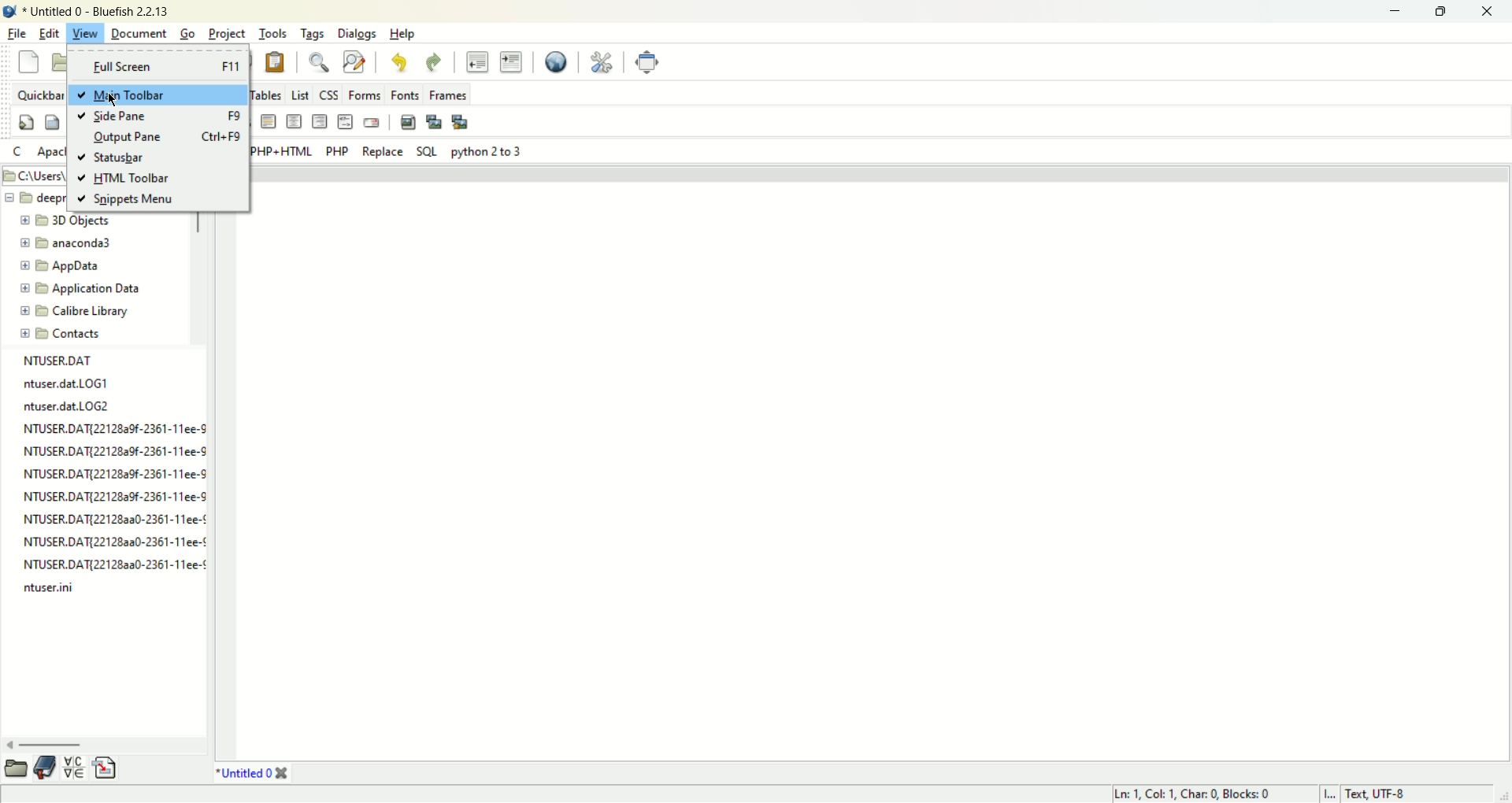 Image resolution: width=1512 pixels, height=803 pixels. Describe the element at coordinates (555, 62) in the screenshot. I see `preview in browser` at that location.